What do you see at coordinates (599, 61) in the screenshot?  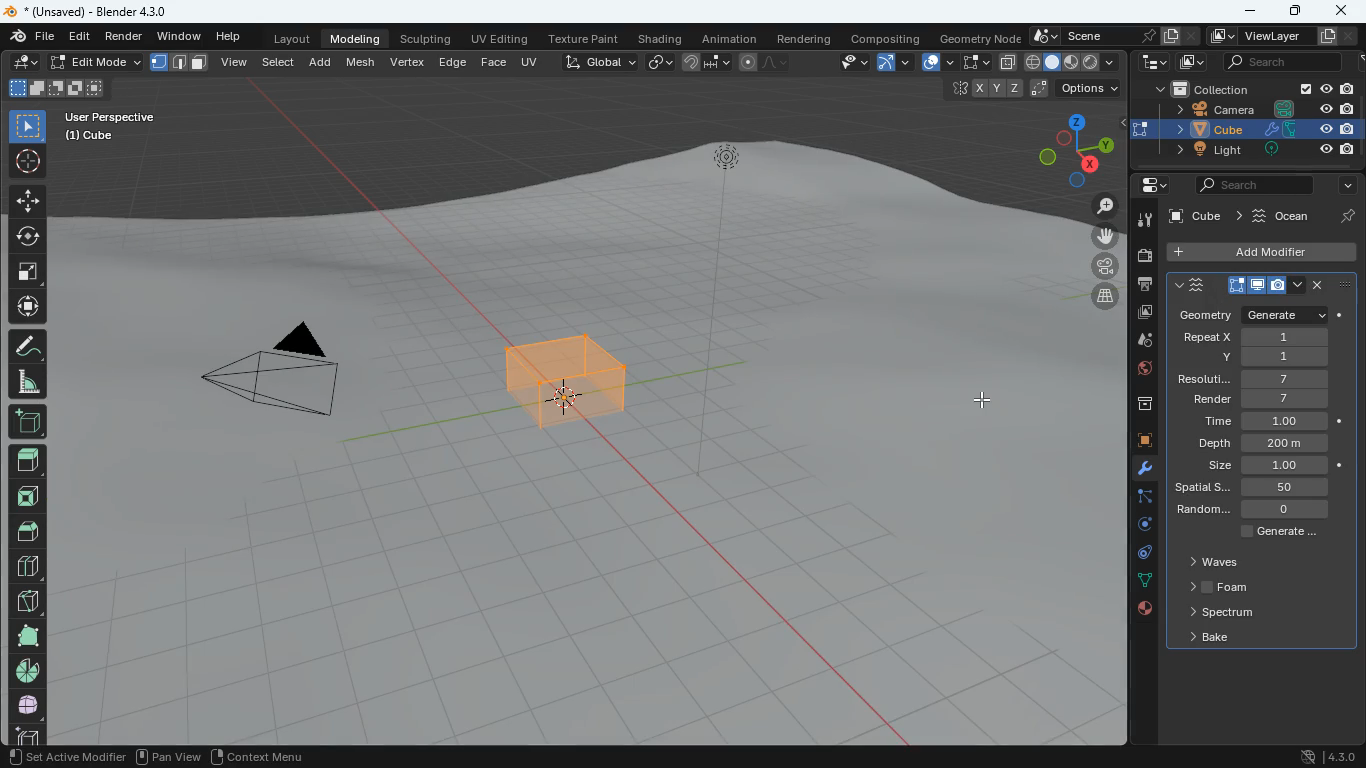 I see `global` at bounding box center [599, 61].